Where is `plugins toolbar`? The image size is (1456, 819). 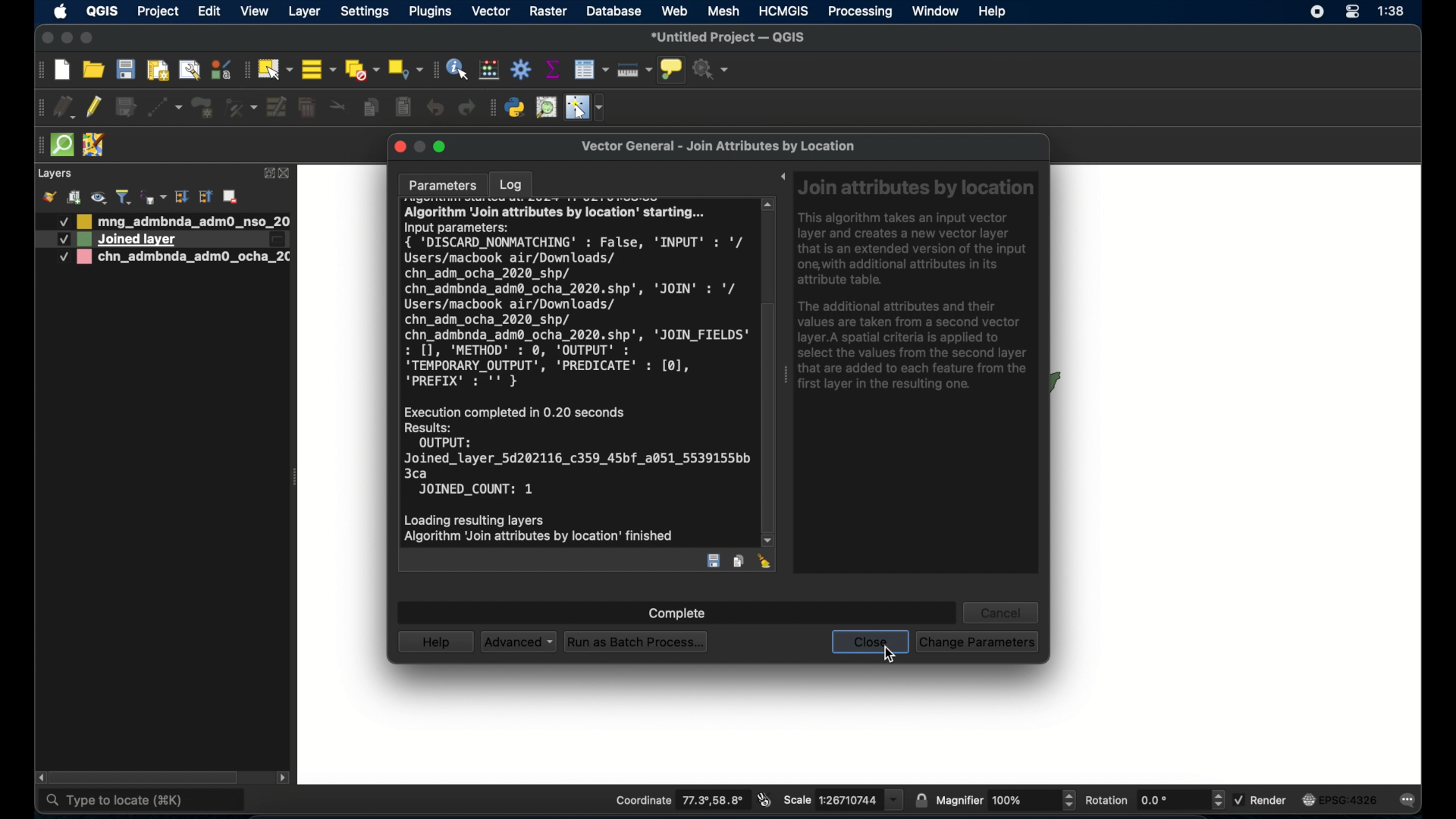 plugins toolbar is located at coordinates (492, 108).